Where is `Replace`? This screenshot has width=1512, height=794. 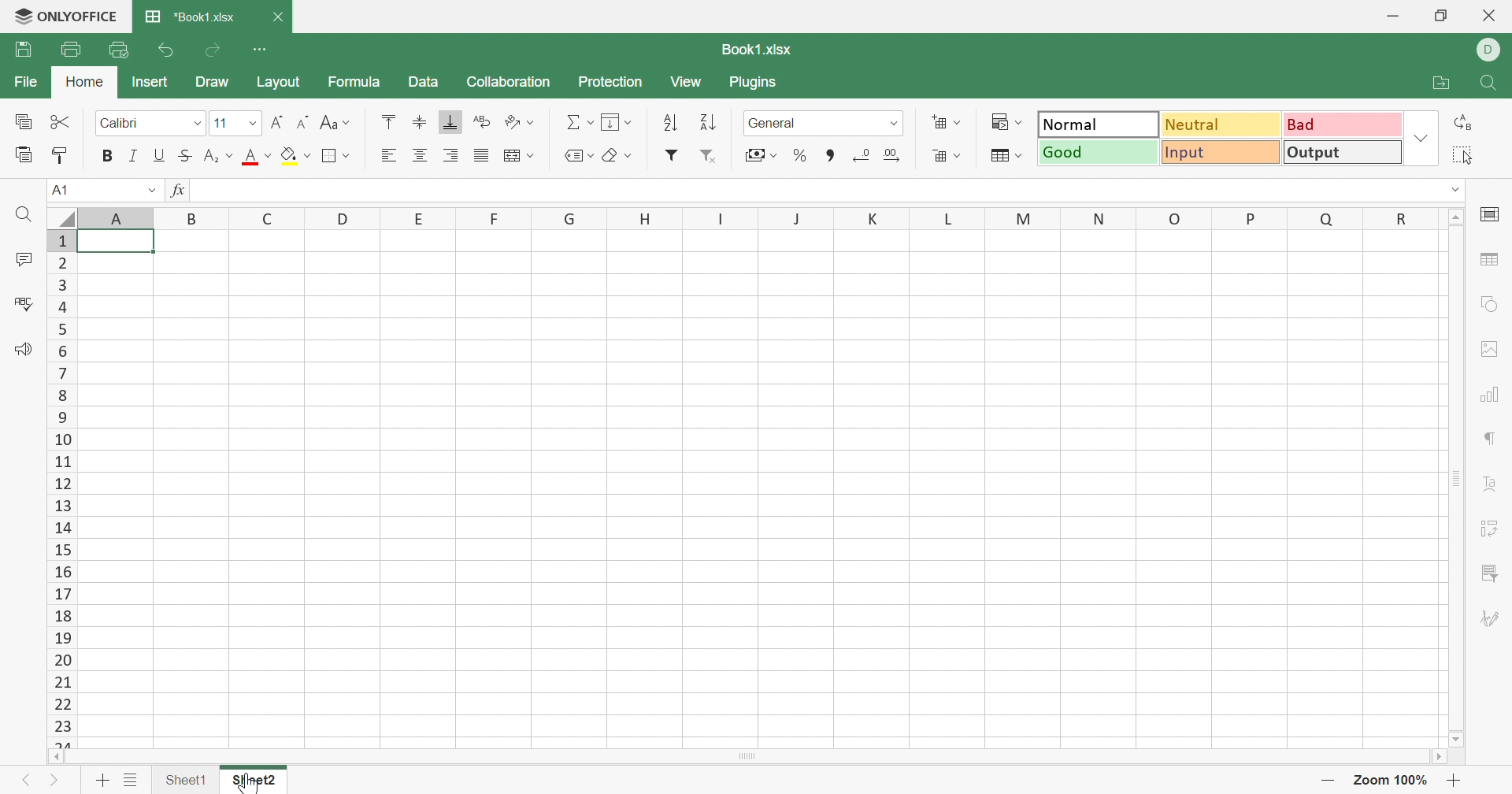 Replace is located at coordinates (1467, 124).